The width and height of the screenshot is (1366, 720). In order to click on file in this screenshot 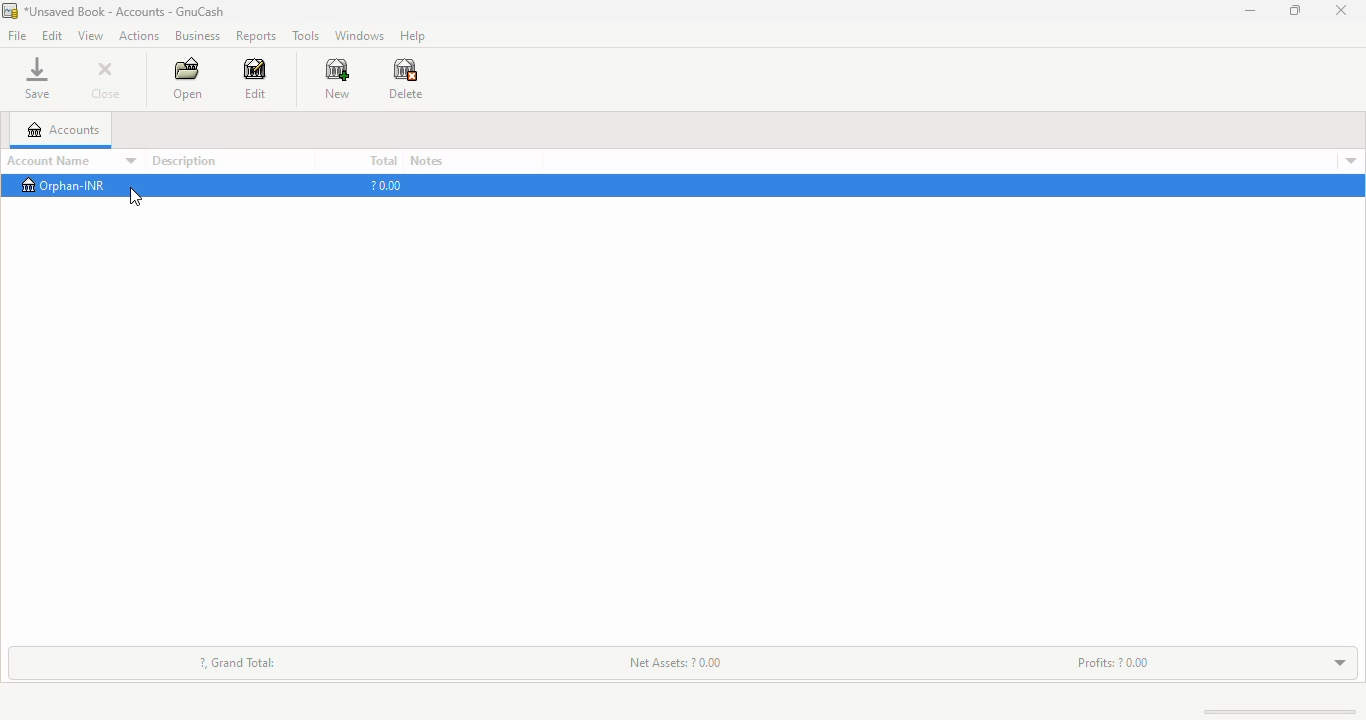, I will do `click(17, 35)`.